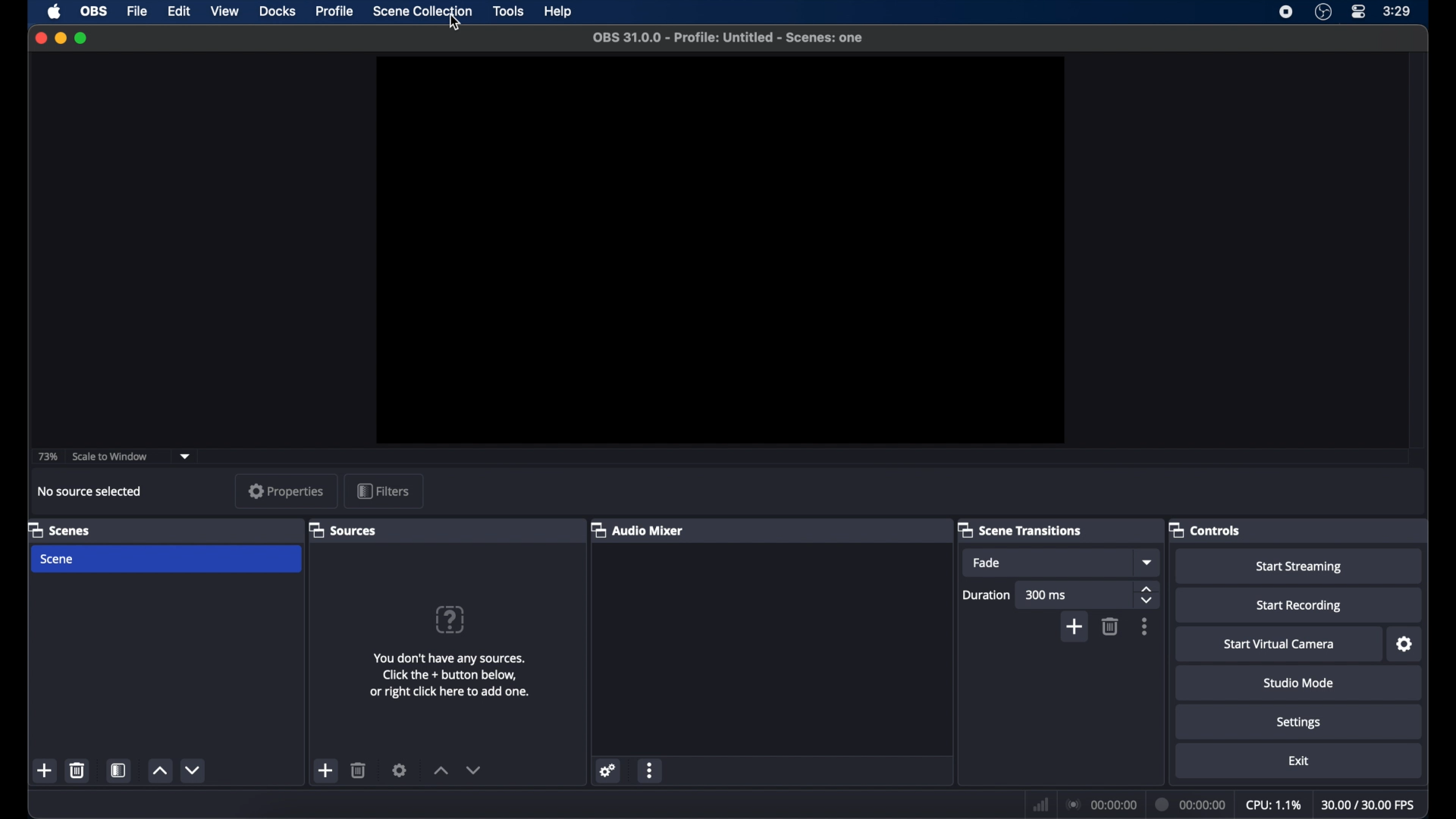 The image size is (1456, 819). What do you see at coordinates (117, 770) in the screenshot?
I see `open scene filter` at bounding box center [117, 770].